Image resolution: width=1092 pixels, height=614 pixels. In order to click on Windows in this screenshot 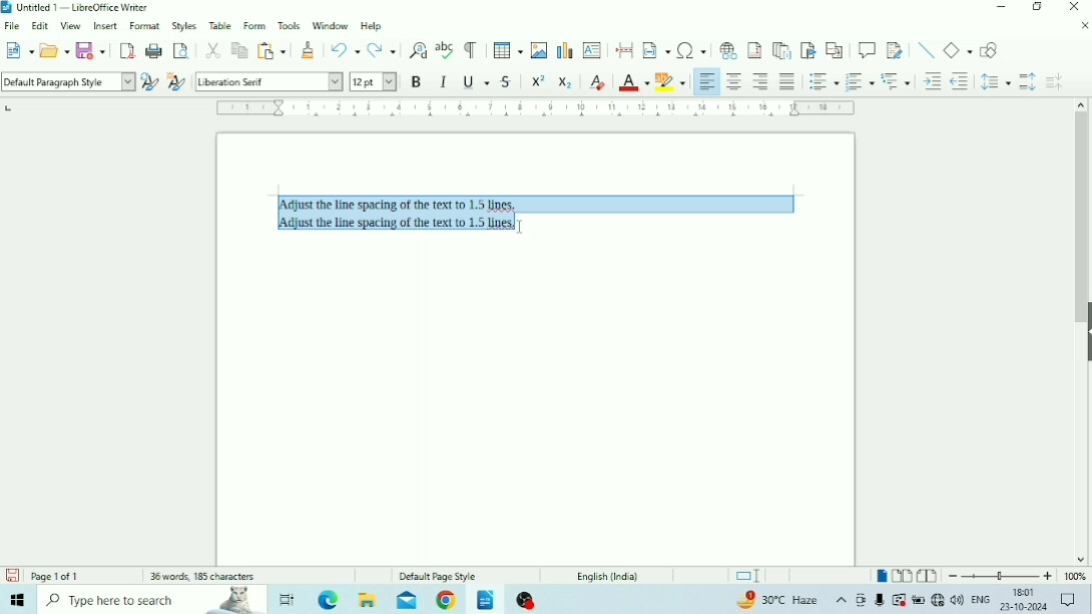, I will do `click(17, 600)`.